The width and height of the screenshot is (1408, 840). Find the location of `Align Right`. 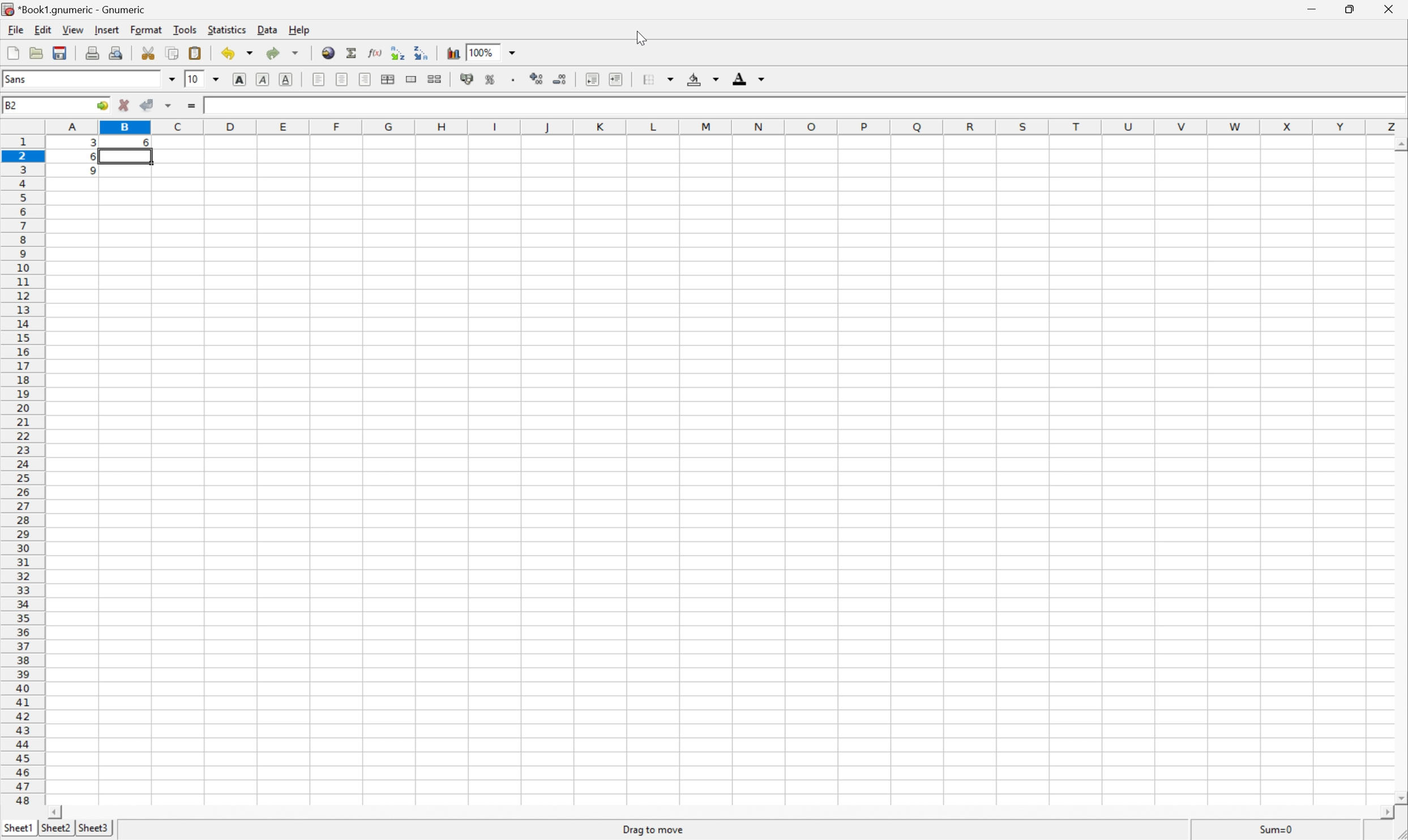

Align Right is located at coordinates (363, 79).